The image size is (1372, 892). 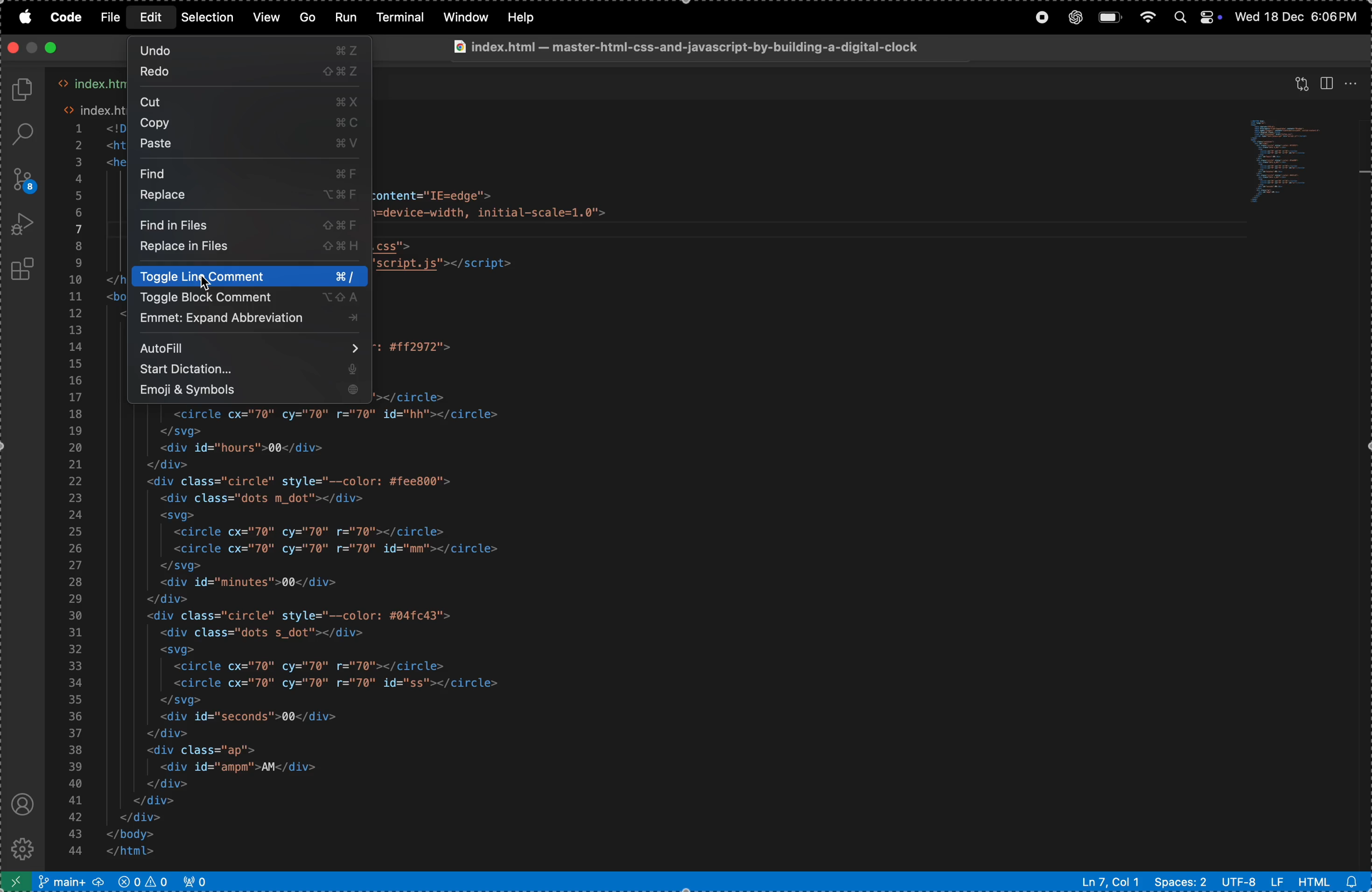 I want to click on settings, so click(x=27, y=848).